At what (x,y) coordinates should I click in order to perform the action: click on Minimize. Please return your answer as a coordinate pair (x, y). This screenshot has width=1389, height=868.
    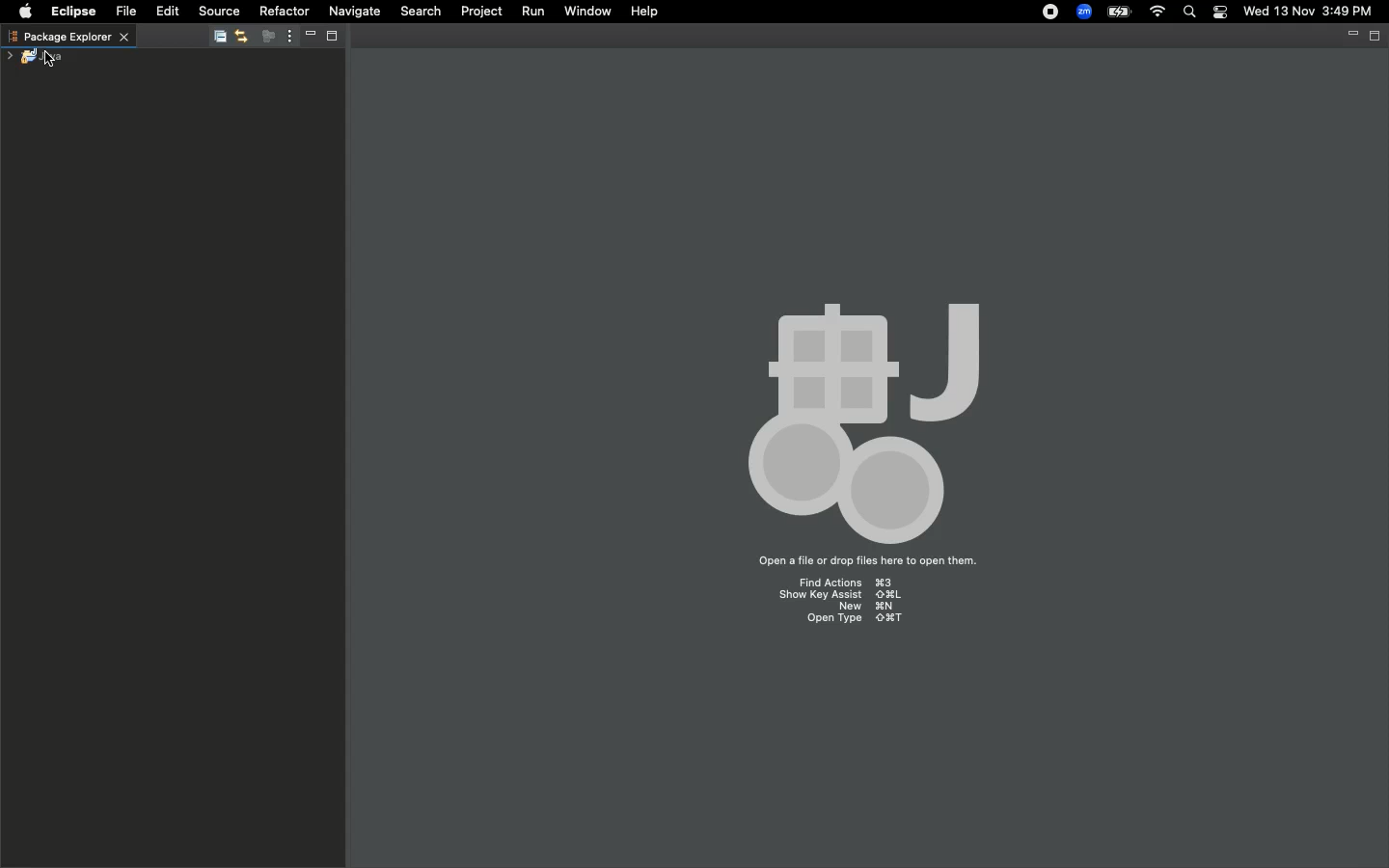
    Looking at the image, I should click on (1350, 38).